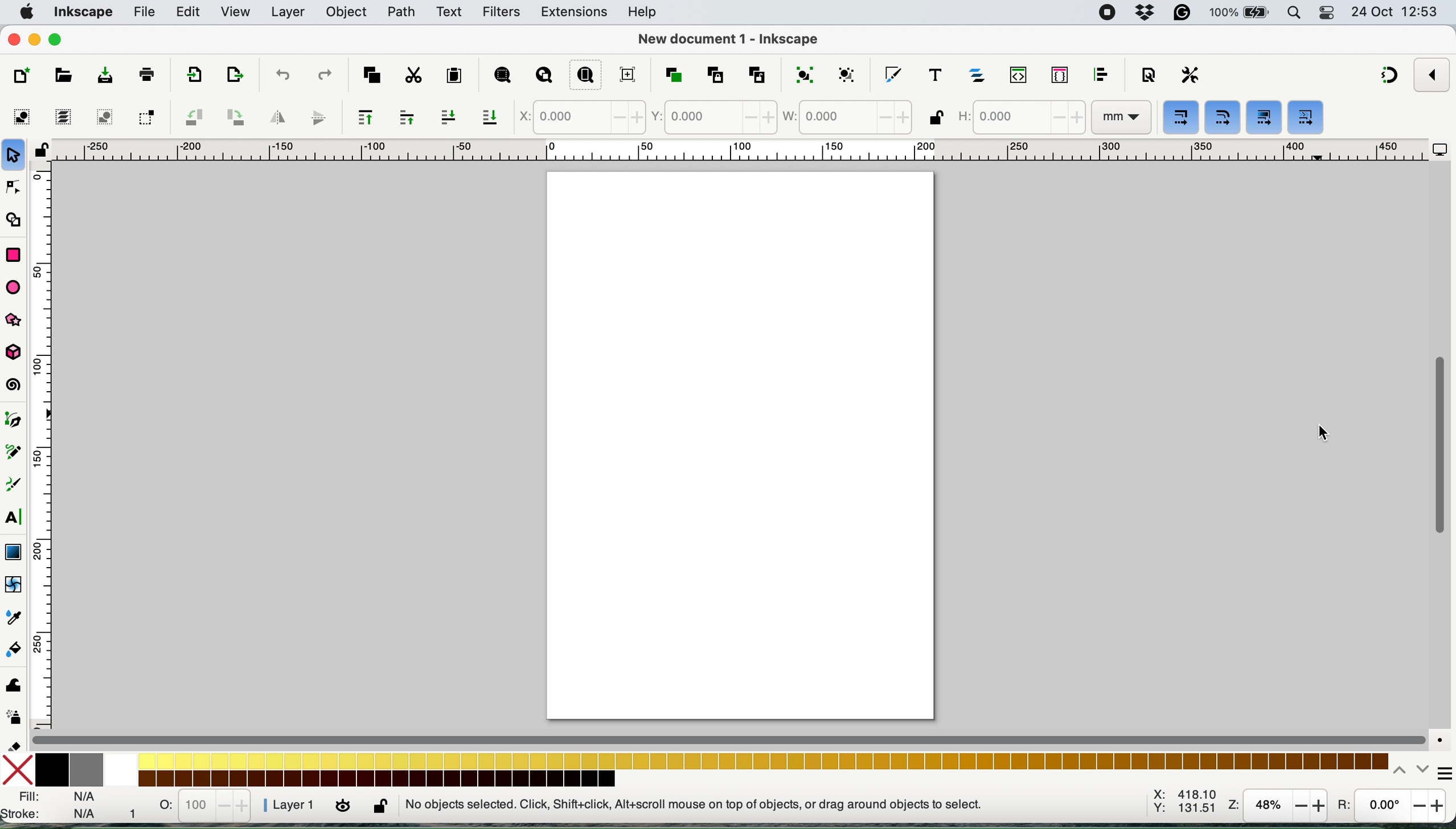  What do you see at coordinates (1442, 766) in the screenshot?
I see `more options` at bounding box center [1442, 766].